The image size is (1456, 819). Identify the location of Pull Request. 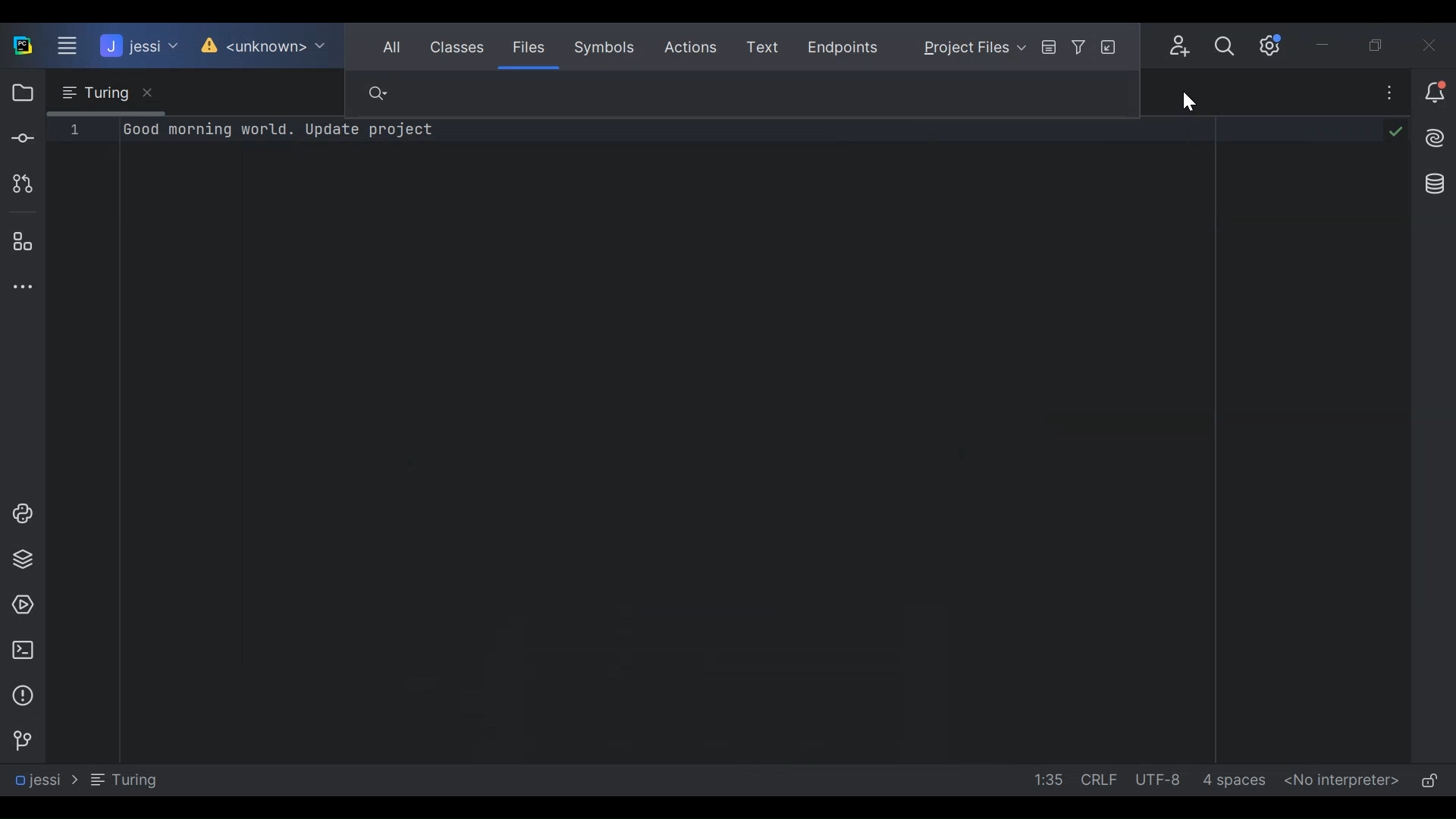
(21, 185).